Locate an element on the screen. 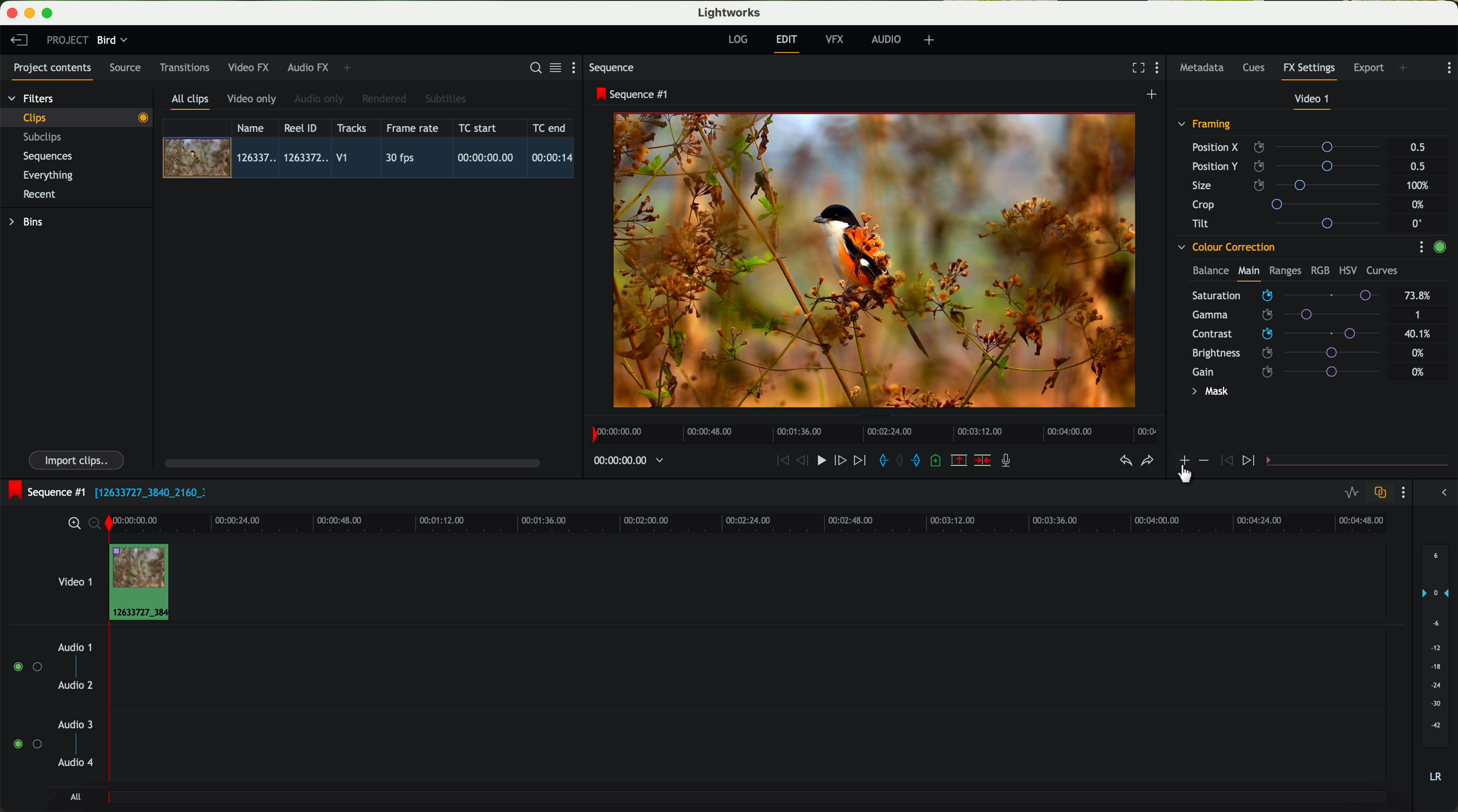 The image size is (1458, 812). icon is located at coordinates (1225, 461).